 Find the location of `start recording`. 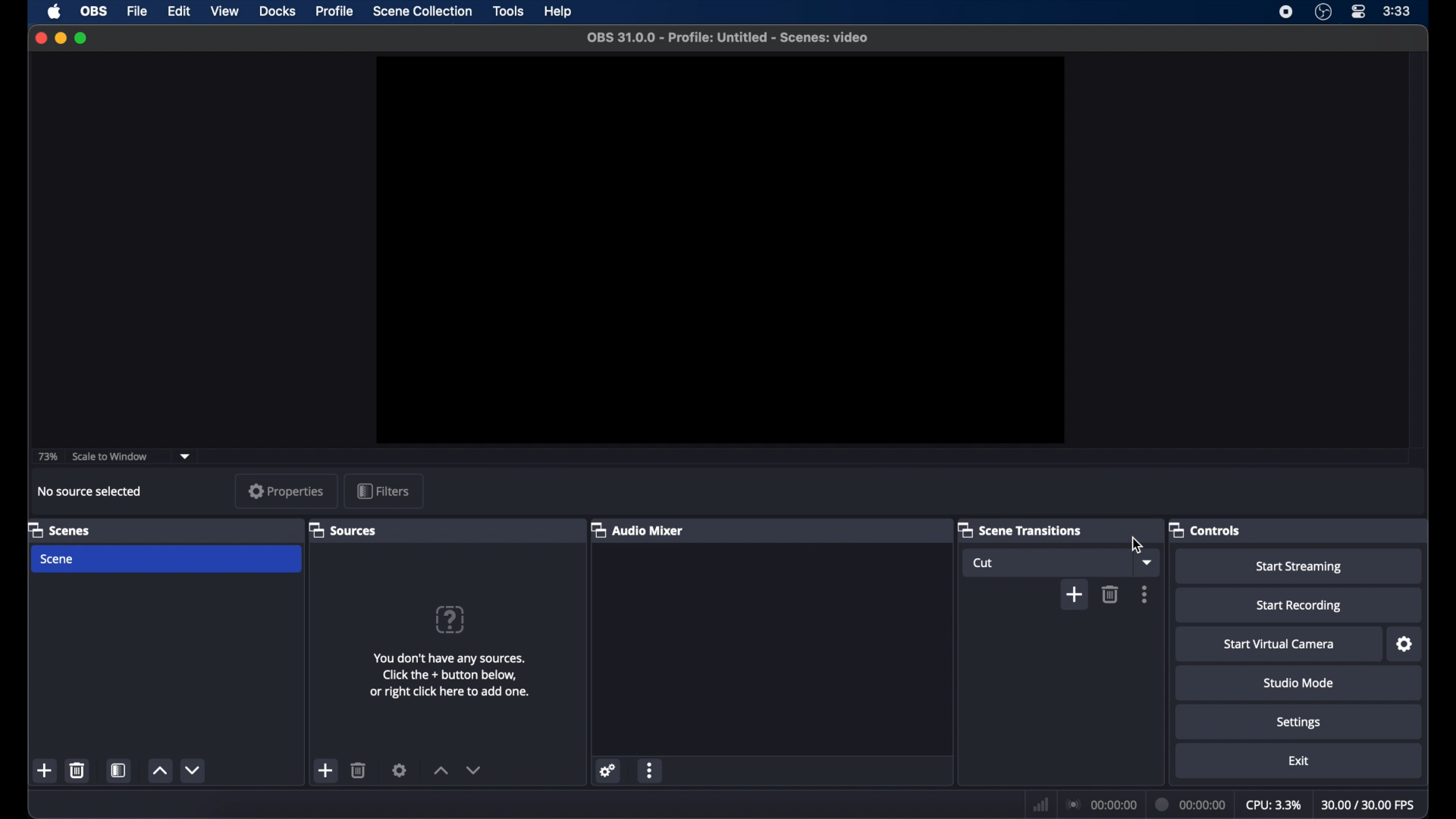

start recording is located at coordinates (1300, 606).